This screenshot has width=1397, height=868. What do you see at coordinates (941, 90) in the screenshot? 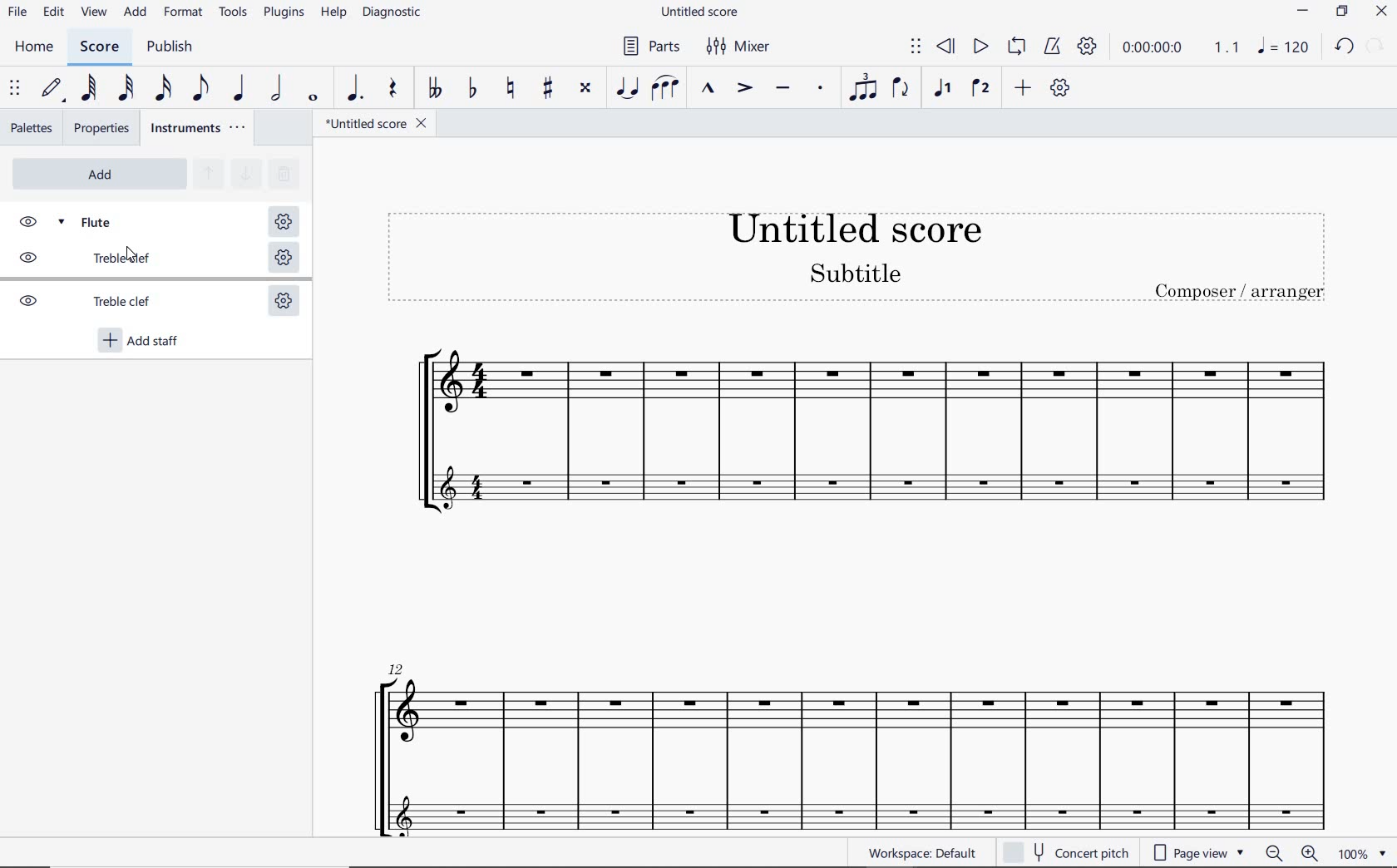
I see `VOICE 1` at bounding box center [941, 90].